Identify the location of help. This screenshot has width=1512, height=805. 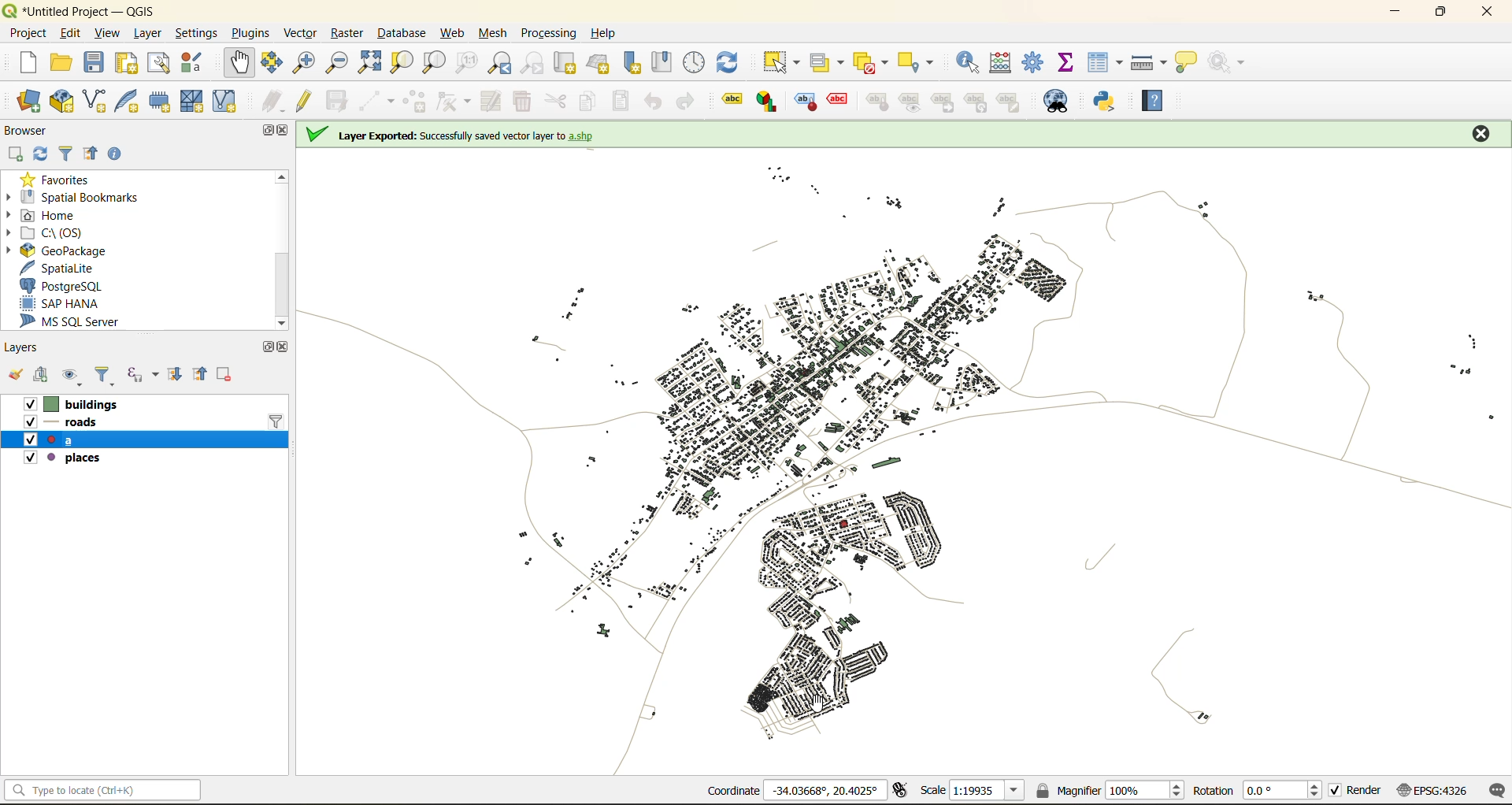
(1157, 97).